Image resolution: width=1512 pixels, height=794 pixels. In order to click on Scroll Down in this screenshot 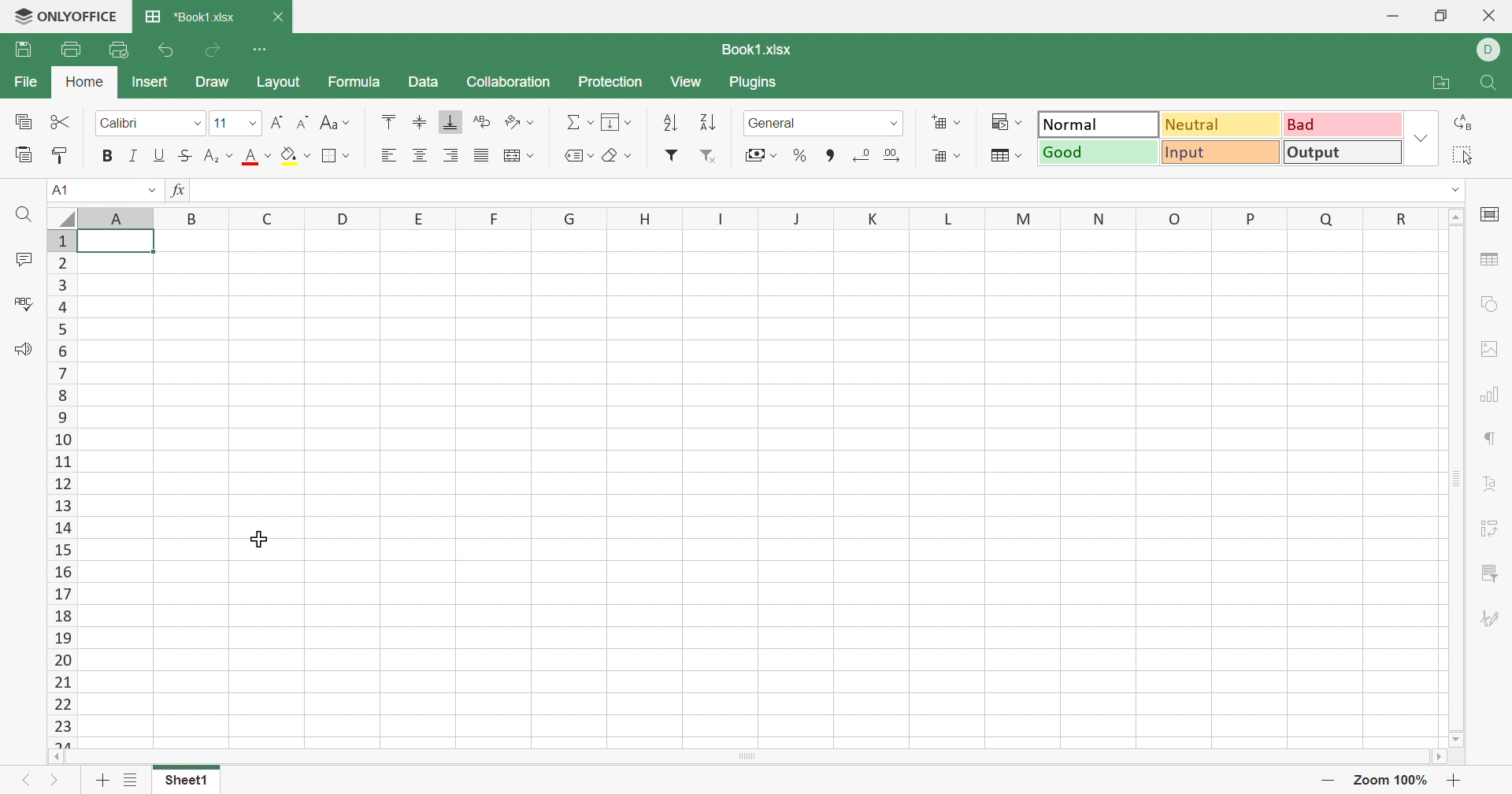, I will do `click(1458, 740)`.